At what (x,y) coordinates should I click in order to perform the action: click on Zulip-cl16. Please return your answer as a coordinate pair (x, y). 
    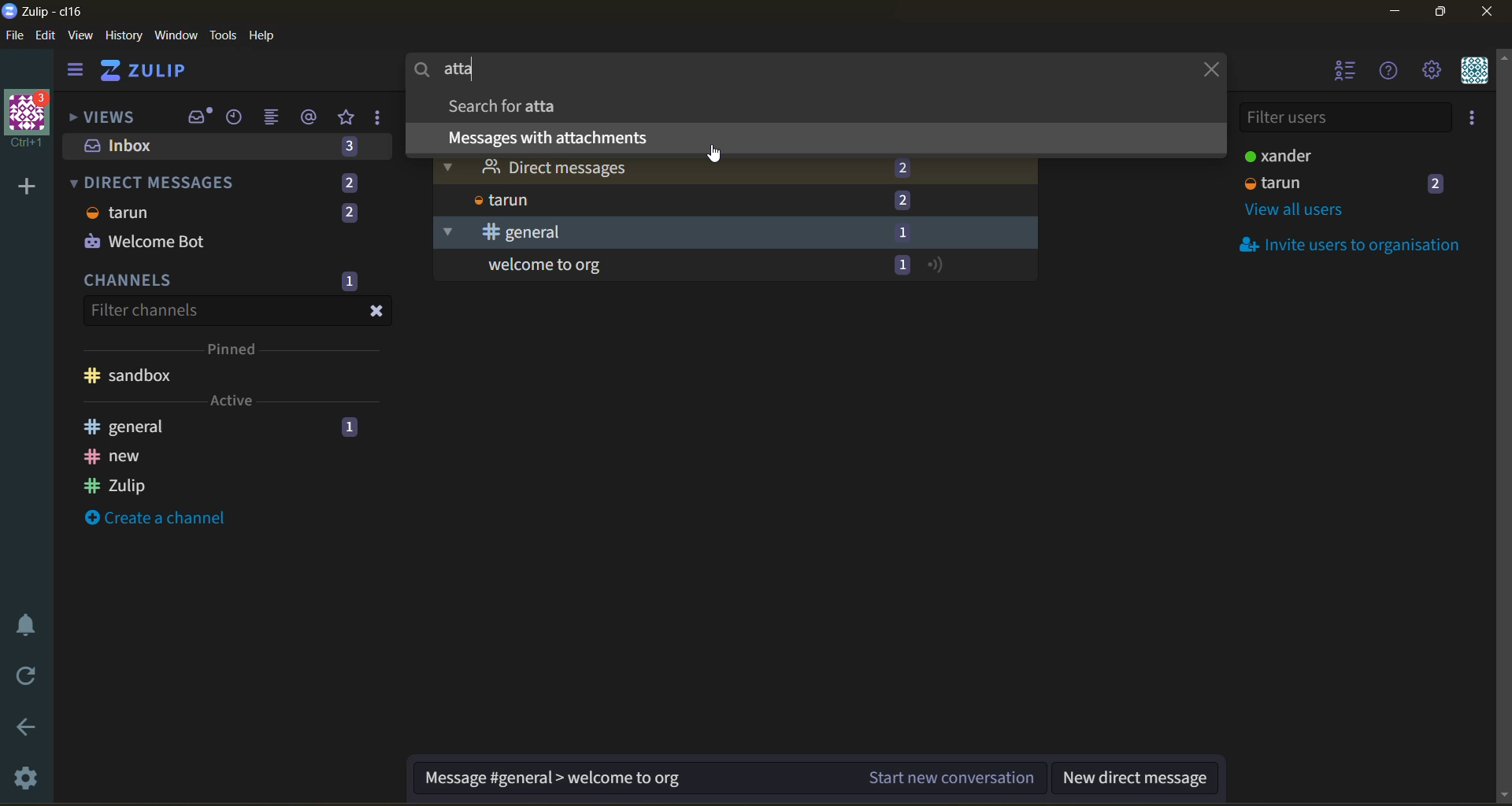
    Looking at the image, I should click on (46, 10).